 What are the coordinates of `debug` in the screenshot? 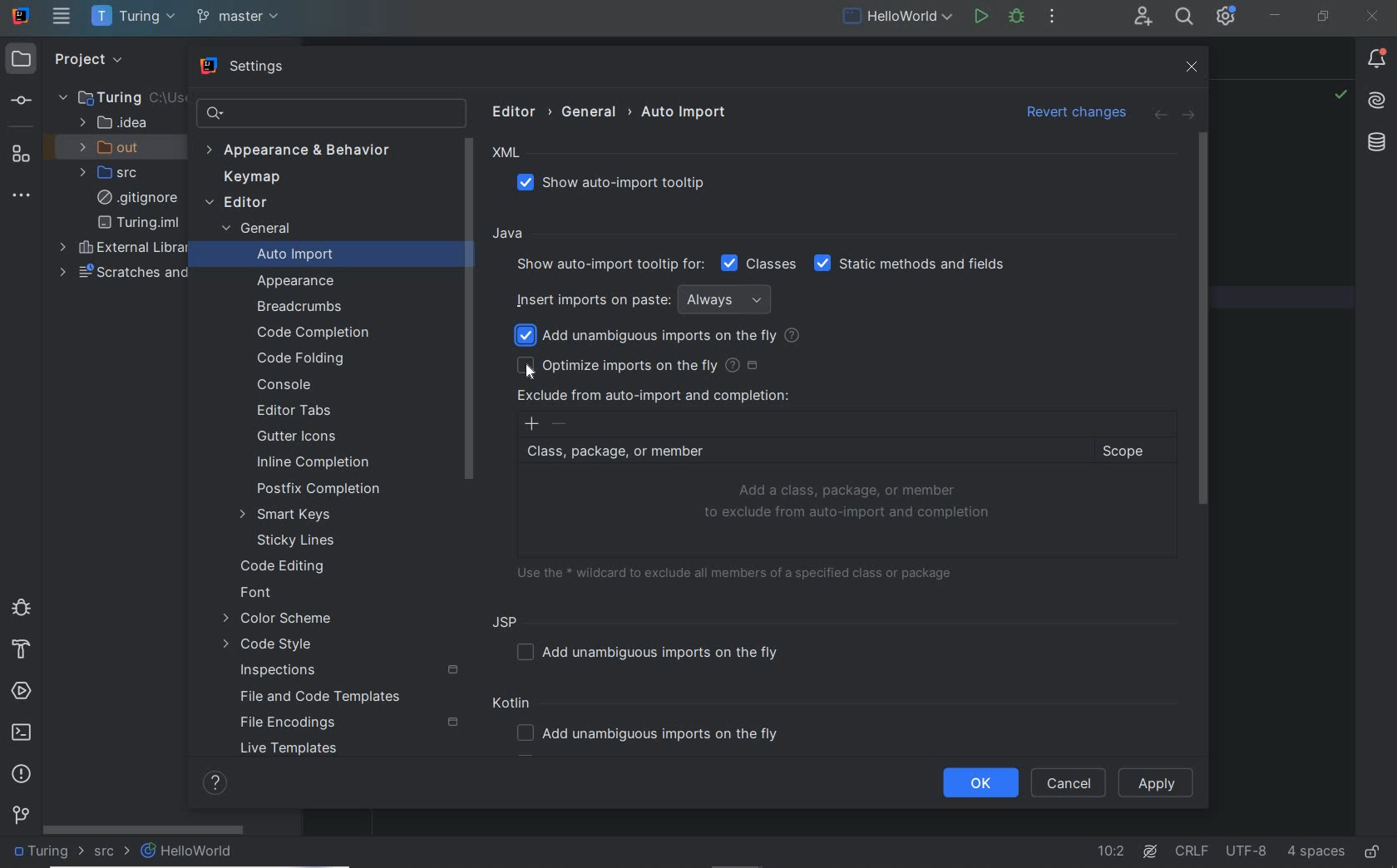 It's located at (19, 606).